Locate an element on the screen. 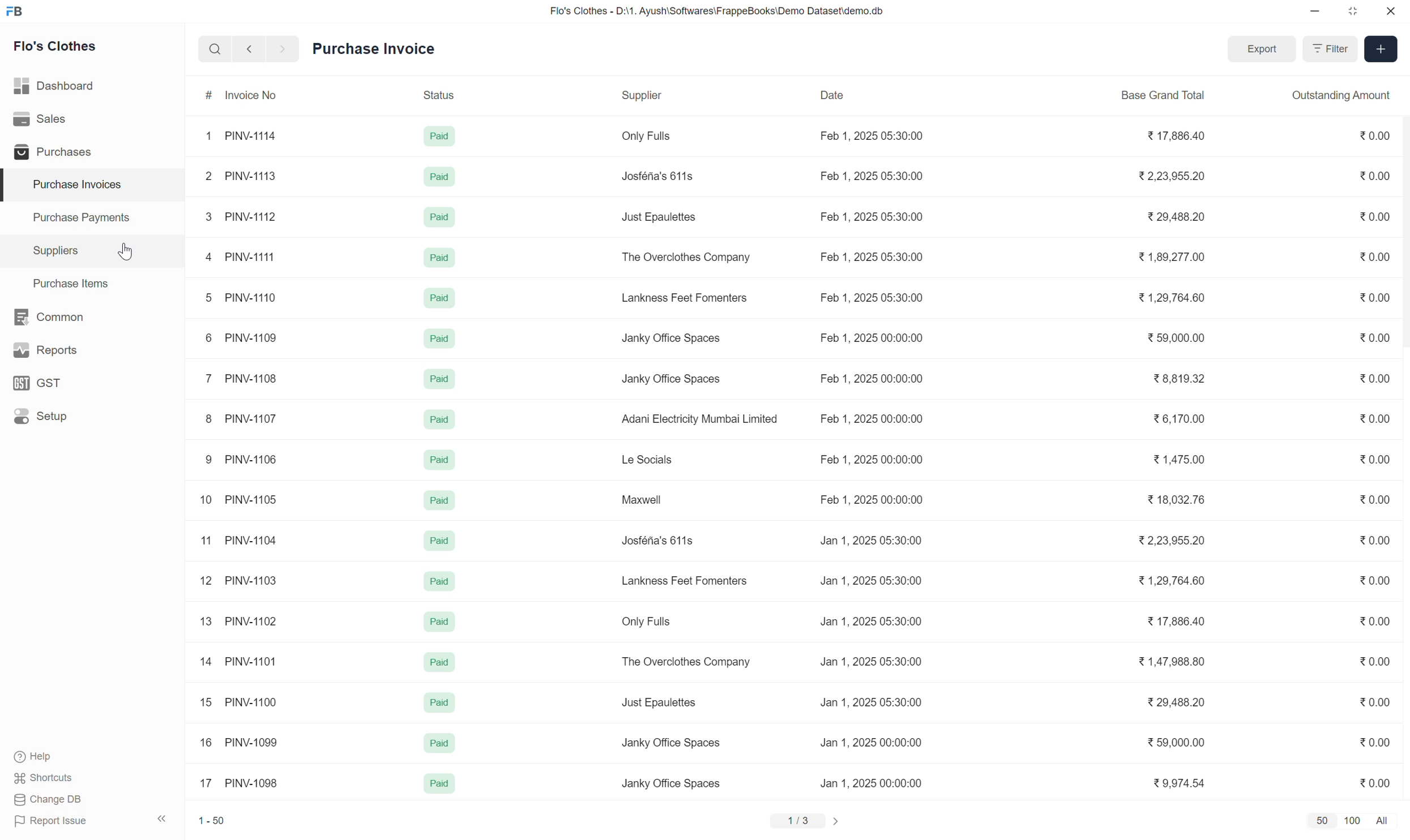  All is located at coordinates (1383, 821).